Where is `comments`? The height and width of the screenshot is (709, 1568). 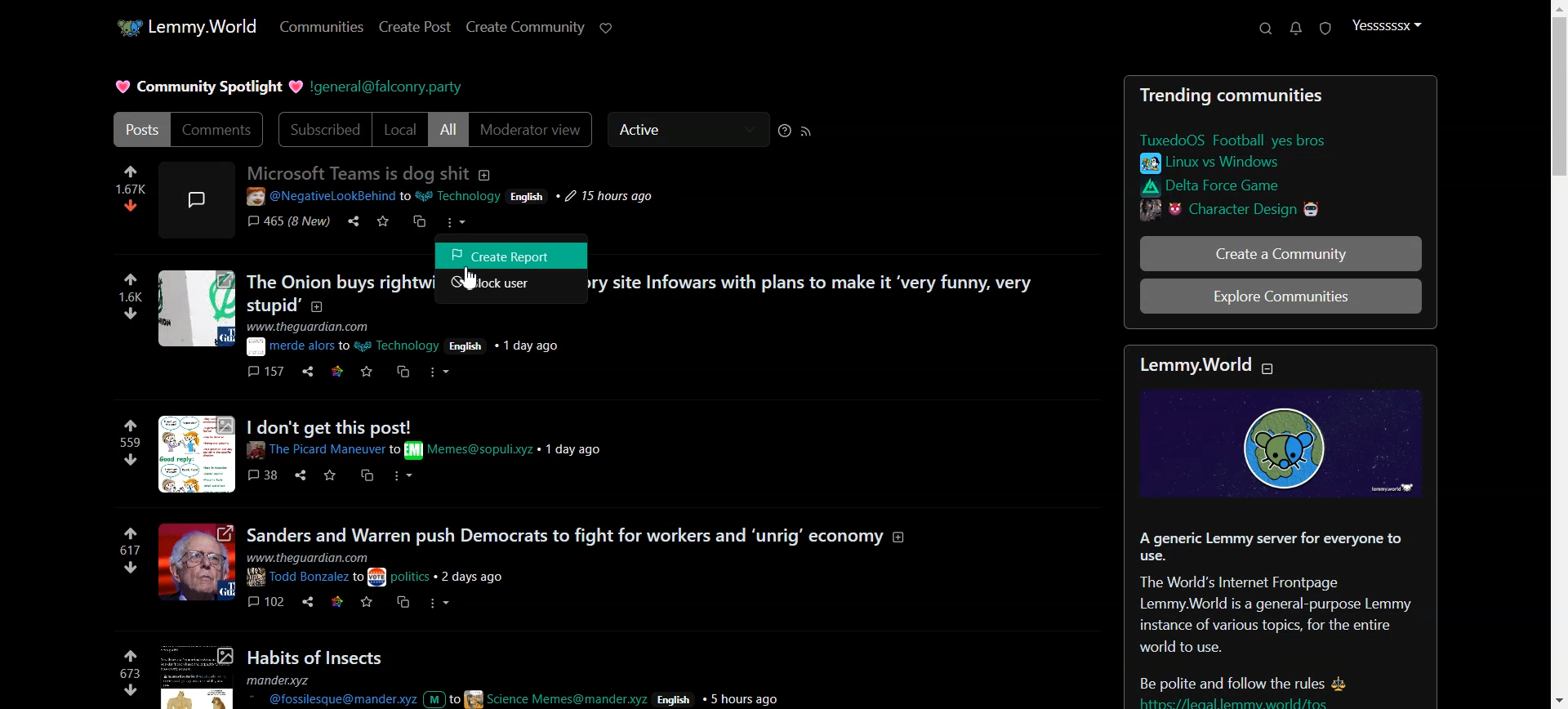 comments is located at coordinates (287, 223).